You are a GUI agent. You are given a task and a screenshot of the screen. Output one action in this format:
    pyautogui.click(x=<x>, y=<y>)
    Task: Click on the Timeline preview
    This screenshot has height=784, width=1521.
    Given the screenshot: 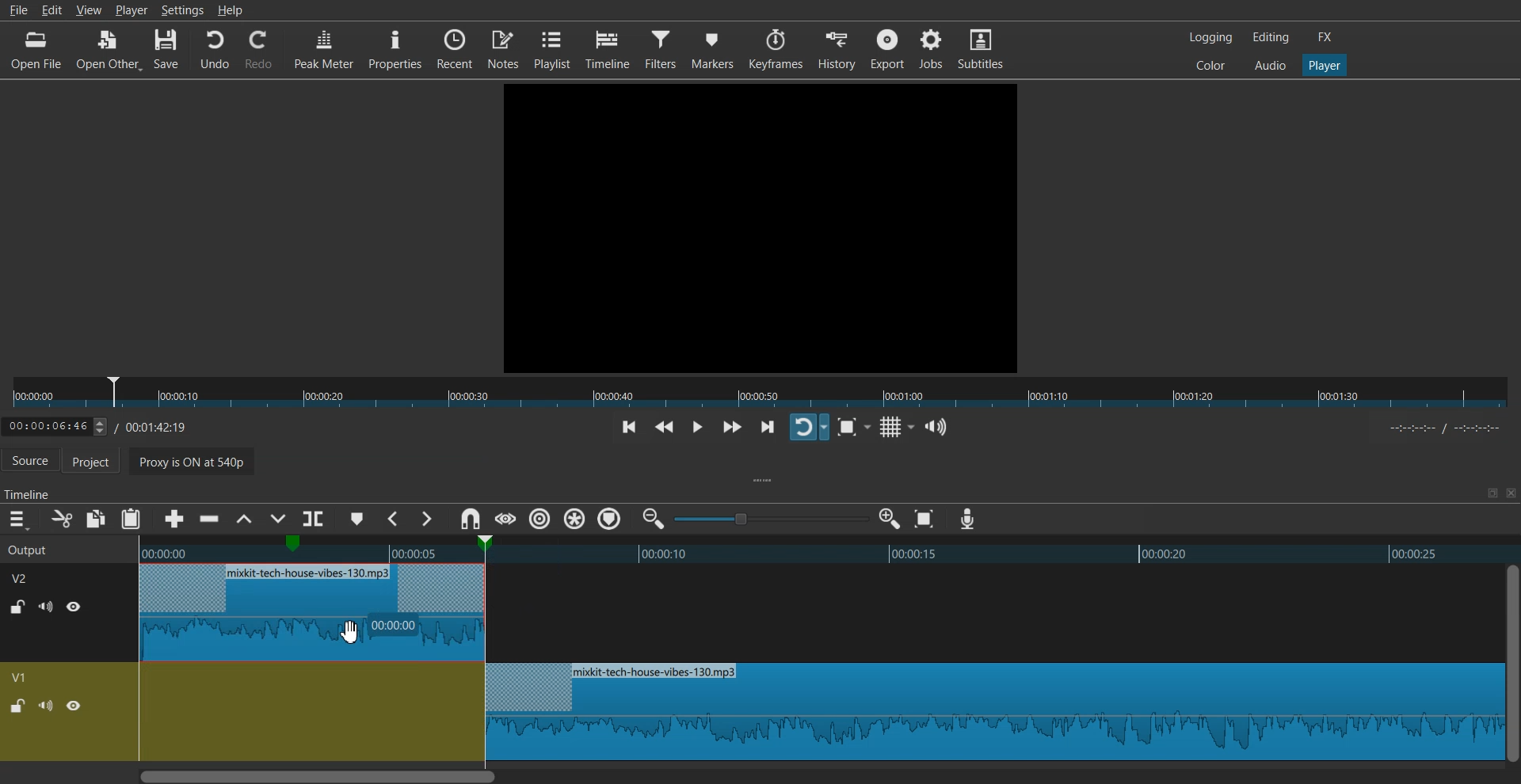 What is the action you would take?
    pyautogui.click(x=817, y=550)
    